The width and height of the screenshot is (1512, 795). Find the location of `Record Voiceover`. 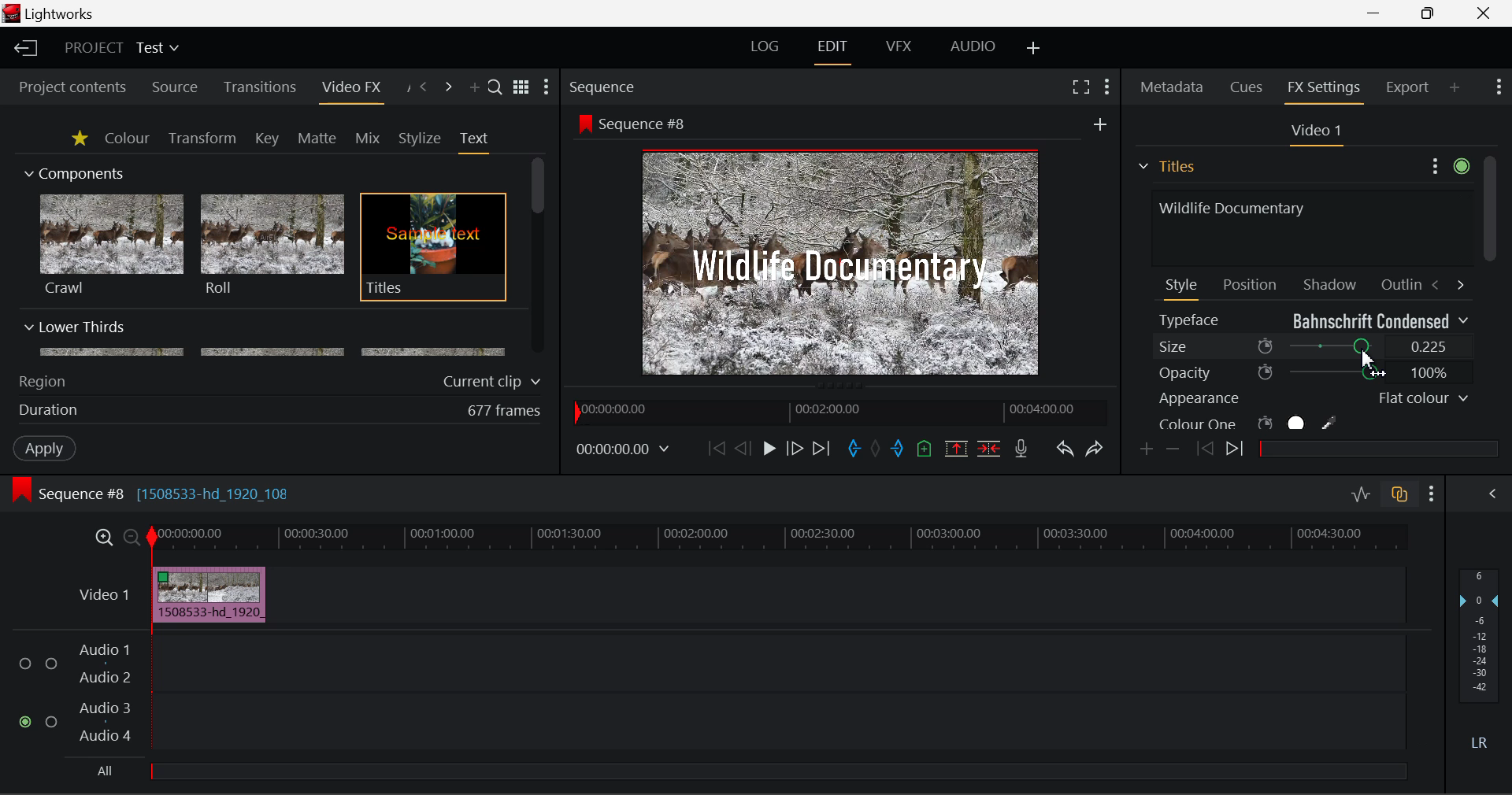

Record Voiceover is located at coordinates (1021, 452).